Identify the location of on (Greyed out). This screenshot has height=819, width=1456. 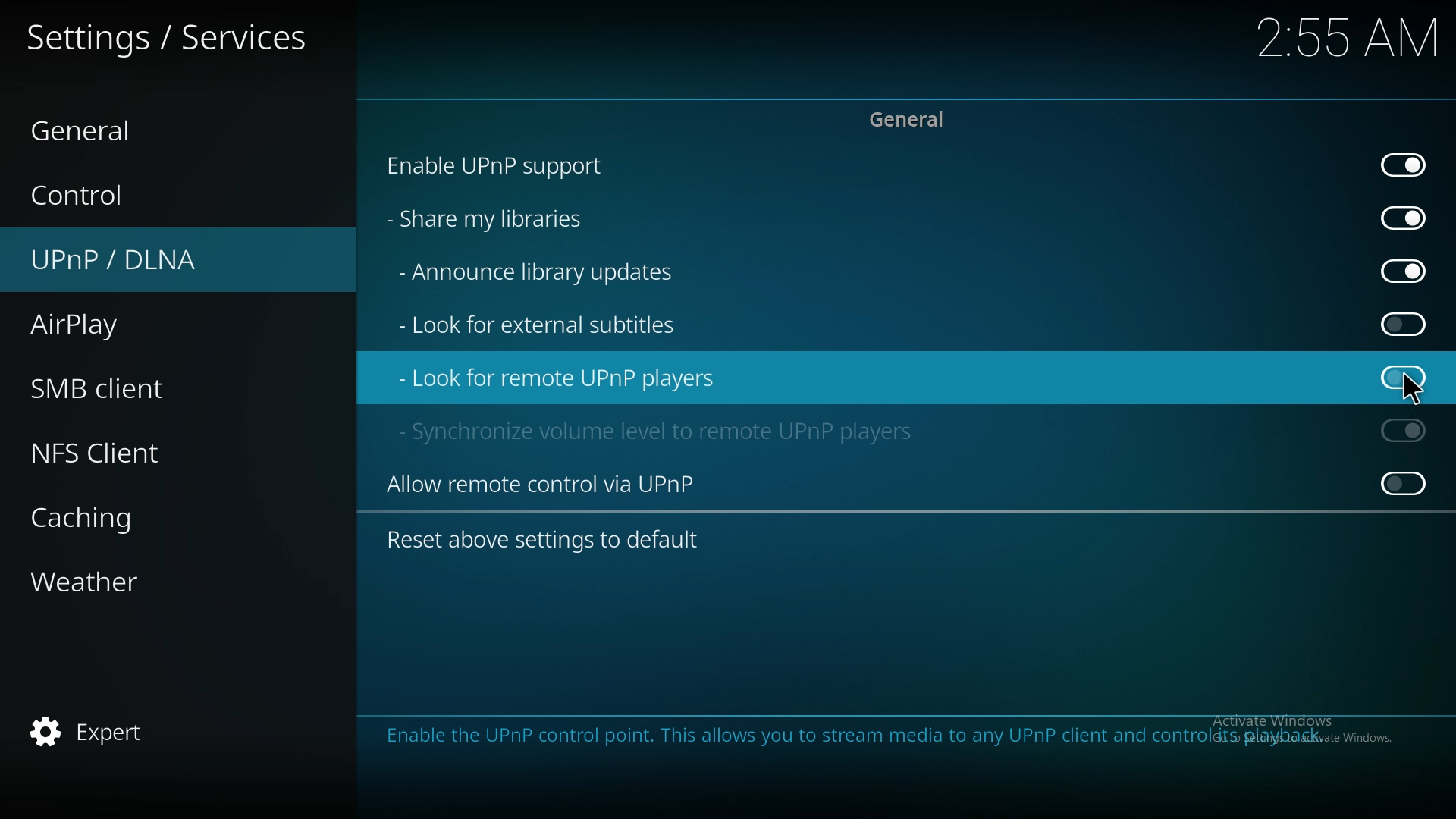
(1409, 271).